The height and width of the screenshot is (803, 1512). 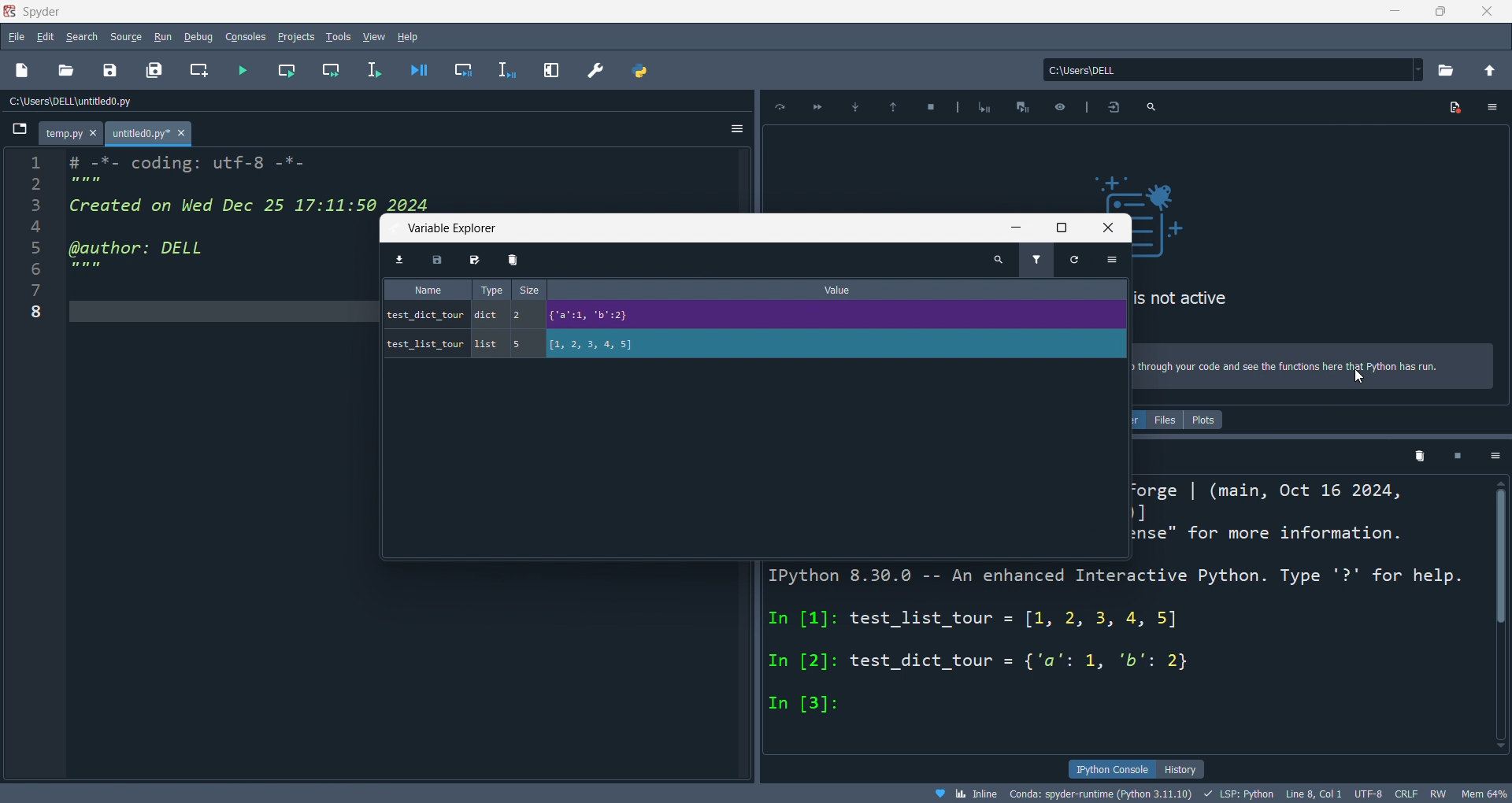 What do you see at coordinates (1407, 794) in the screenshot?
I see `CRLF` at bounding box center [1407, 794].